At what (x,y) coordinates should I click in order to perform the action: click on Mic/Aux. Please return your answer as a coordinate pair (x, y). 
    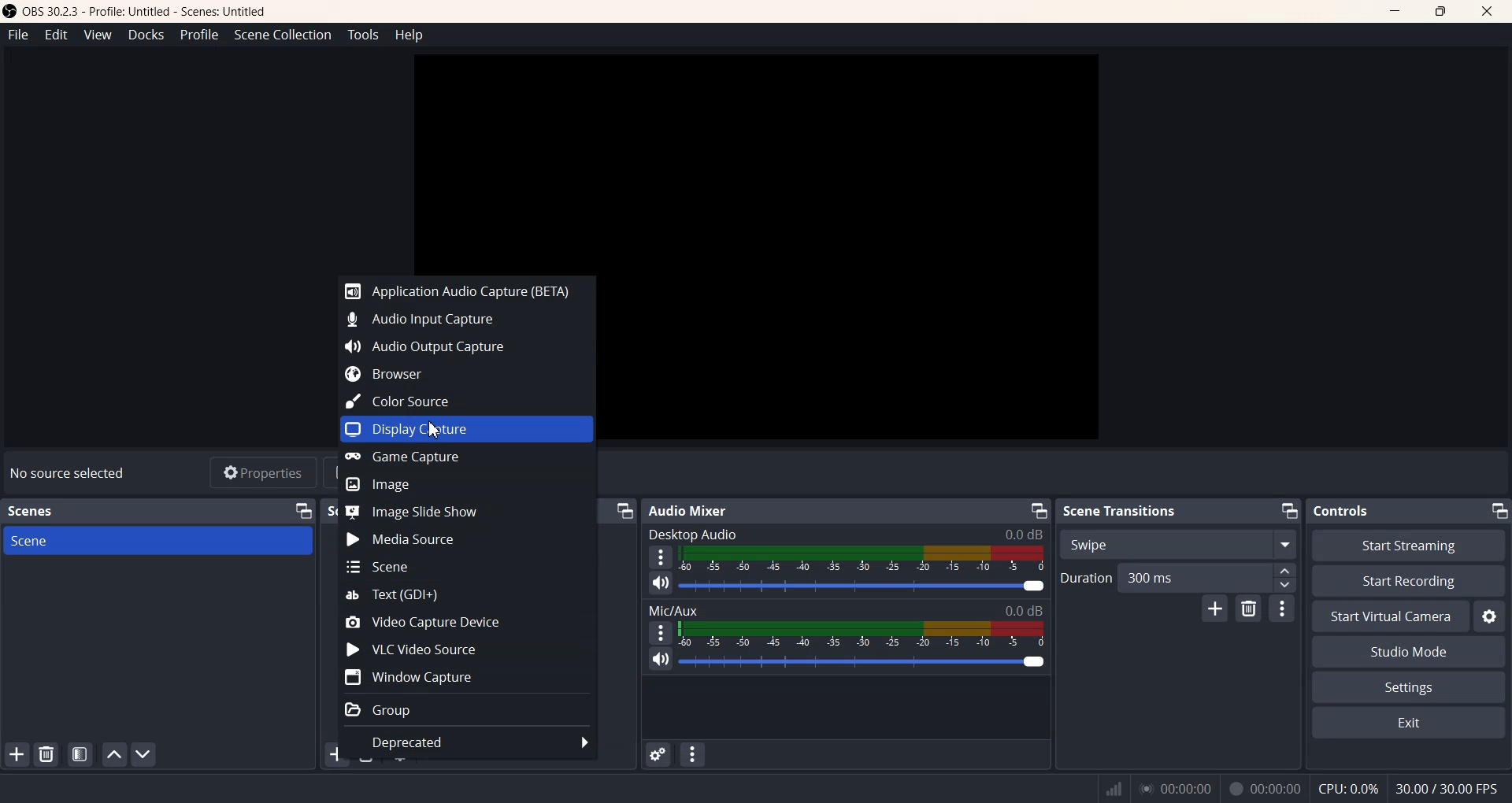
    Looking at the image, I should click on (845, 610).